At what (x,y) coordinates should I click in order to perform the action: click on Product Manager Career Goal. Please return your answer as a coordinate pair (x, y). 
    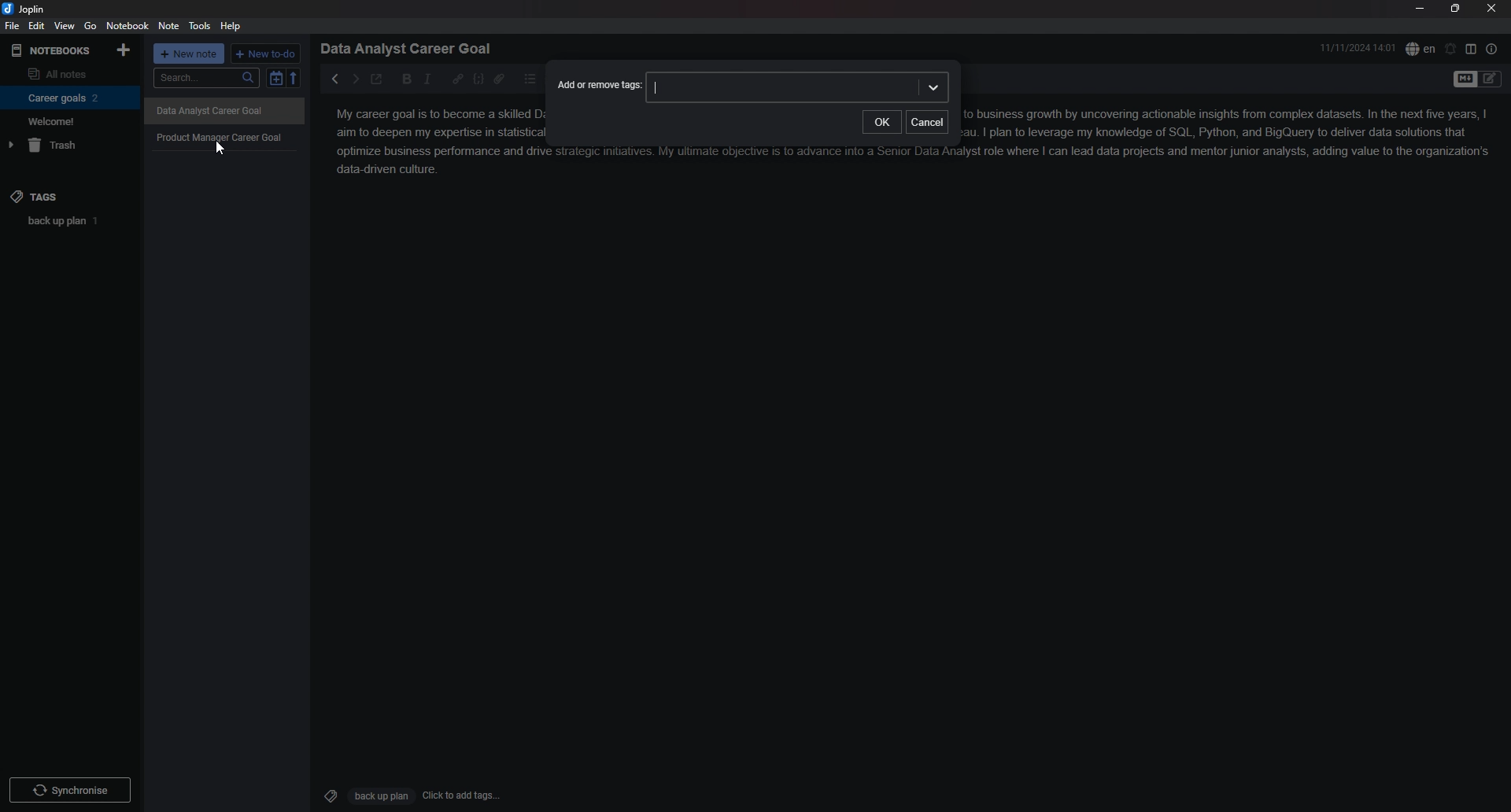
    Looking at the image, I should click on (228, 139).